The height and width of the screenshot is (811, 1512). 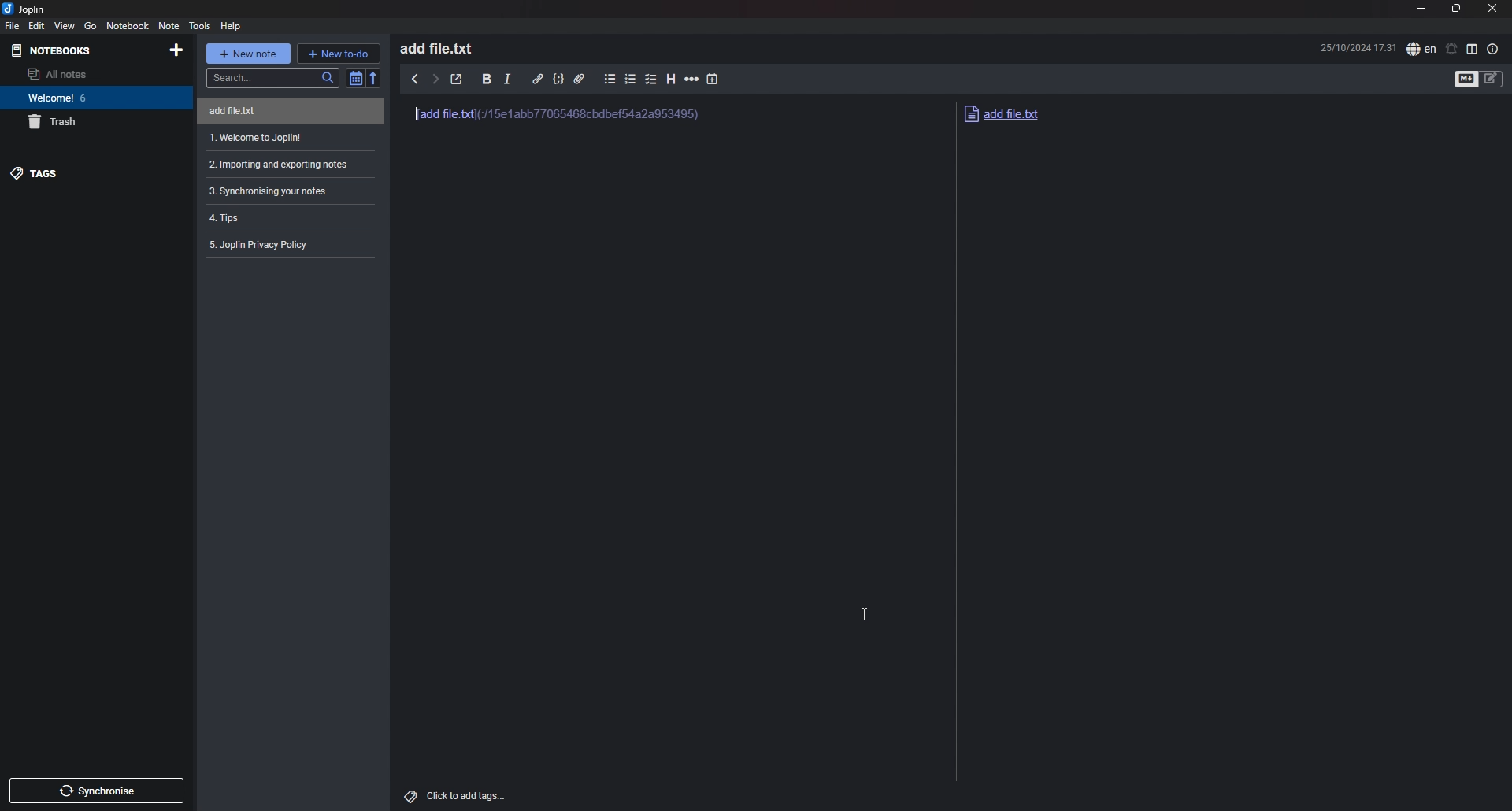 I want to click on 5. joplin Privacy Policy, so click(x=287, y=244).